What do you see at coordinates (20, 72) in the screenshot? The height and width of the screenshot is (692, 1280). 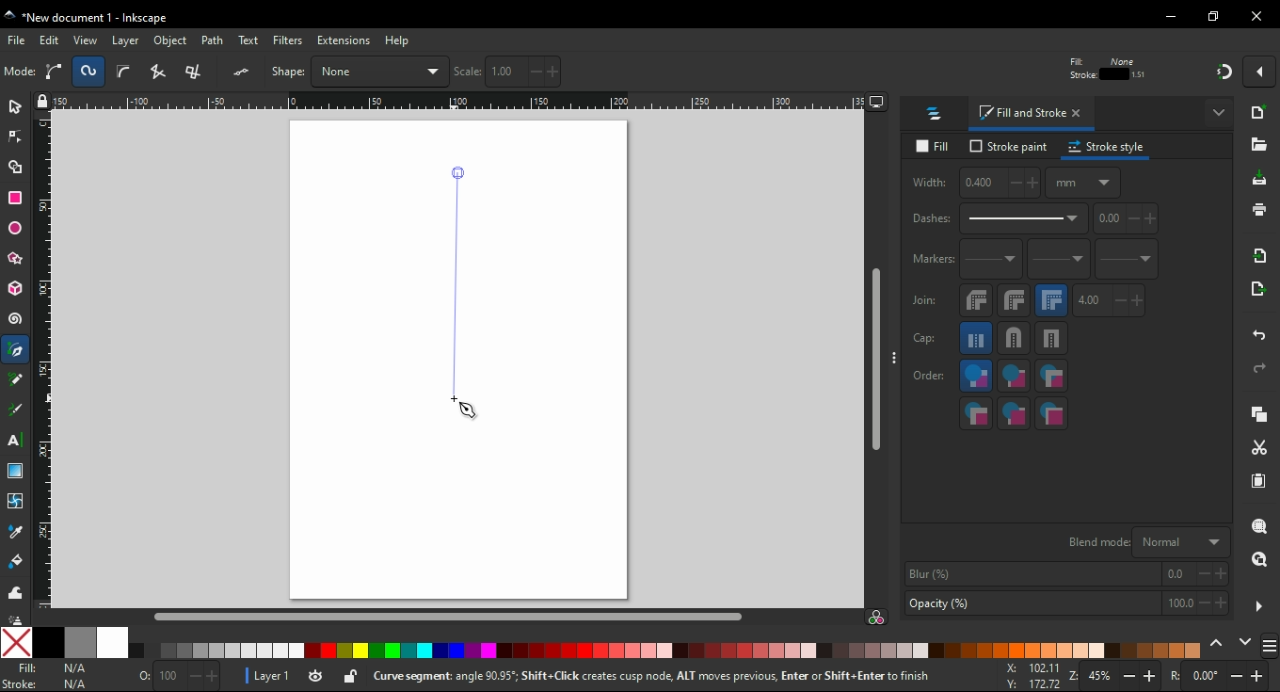 I see `select all` at bounding box center [20, 72].